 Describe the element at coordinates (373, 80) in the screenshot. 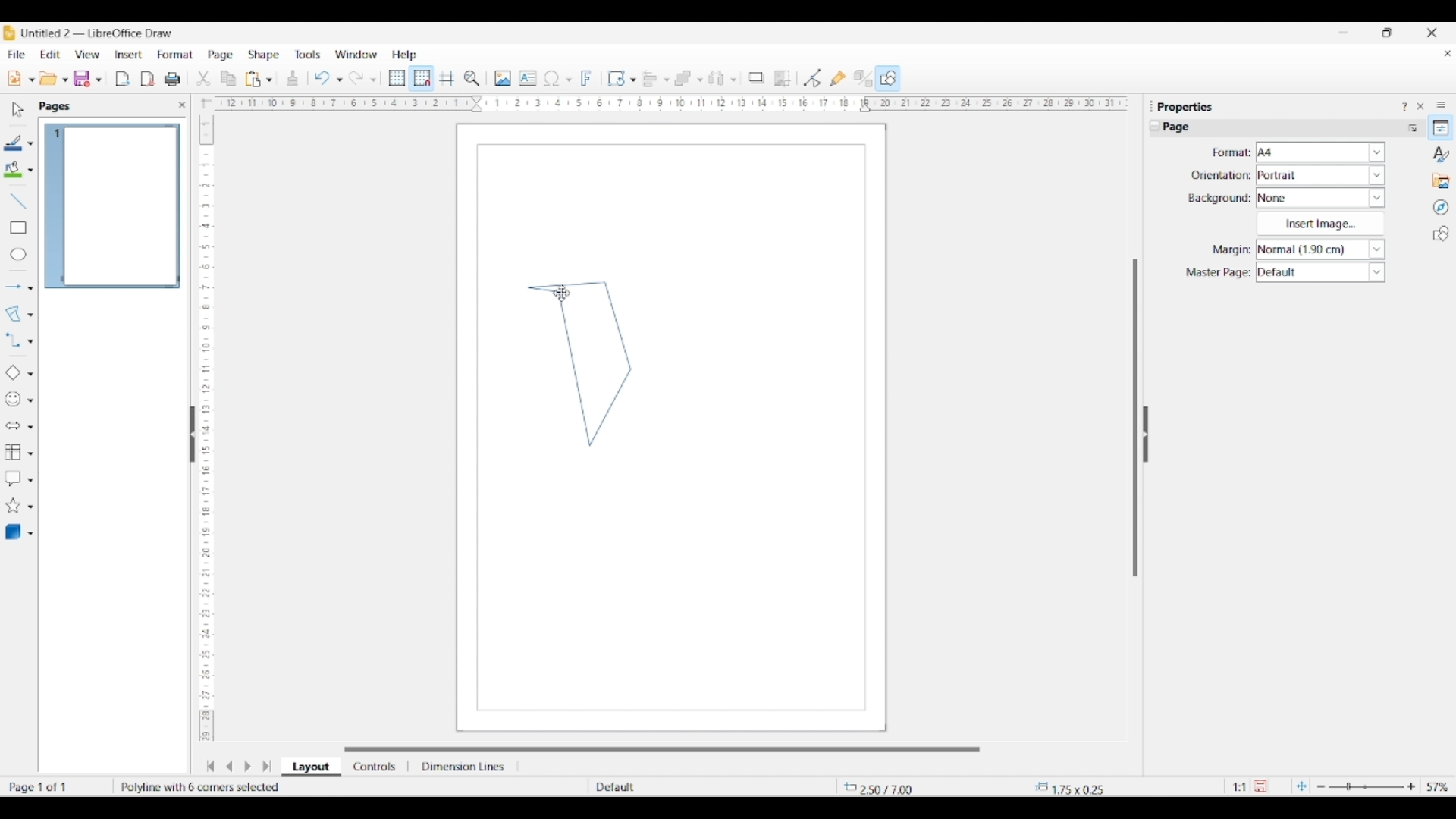

I see `Redo specific actions` at that location.